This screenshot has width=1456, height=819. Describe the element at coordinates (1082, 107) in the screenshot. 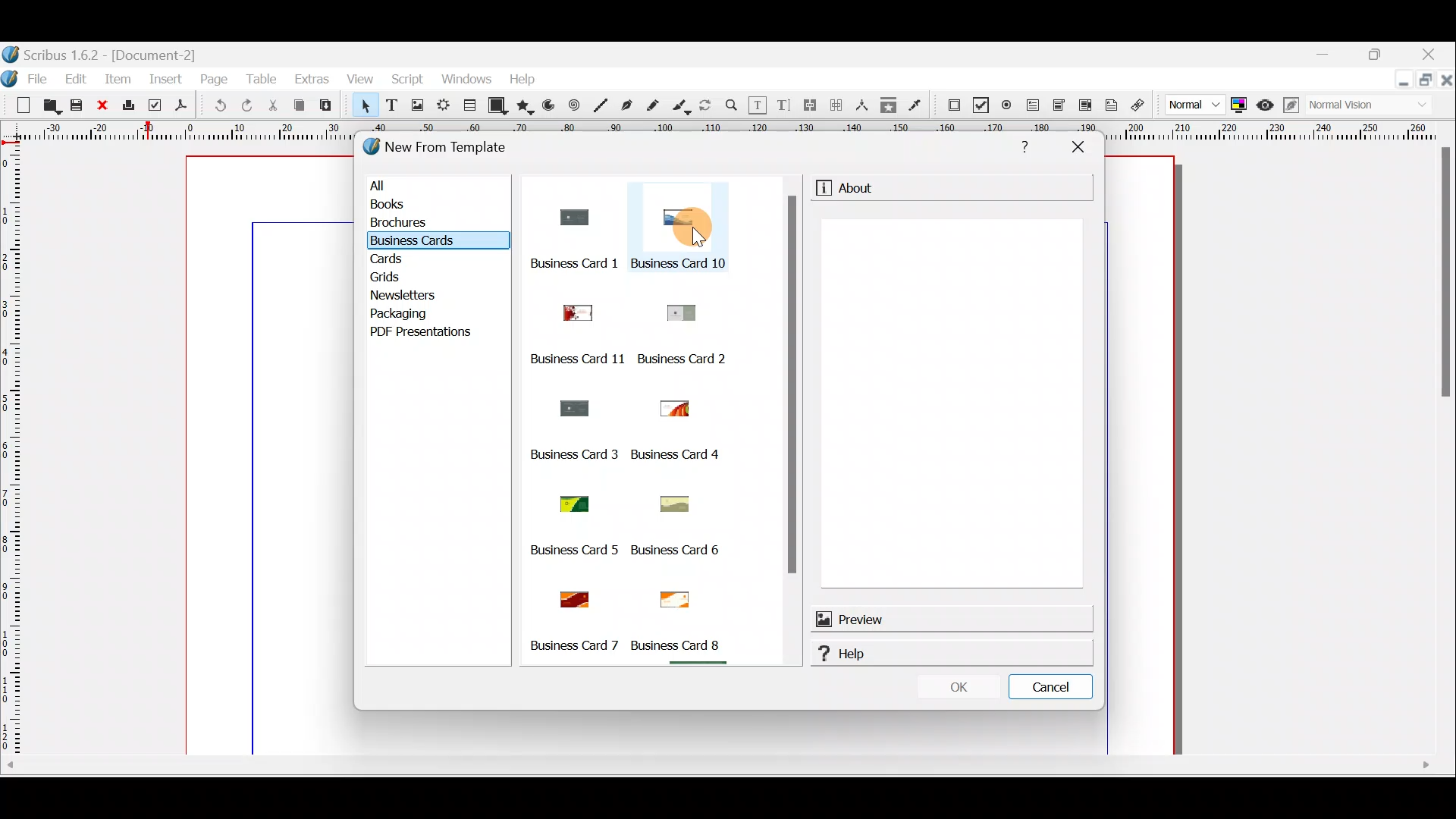

I see `PDF list box` at that location.